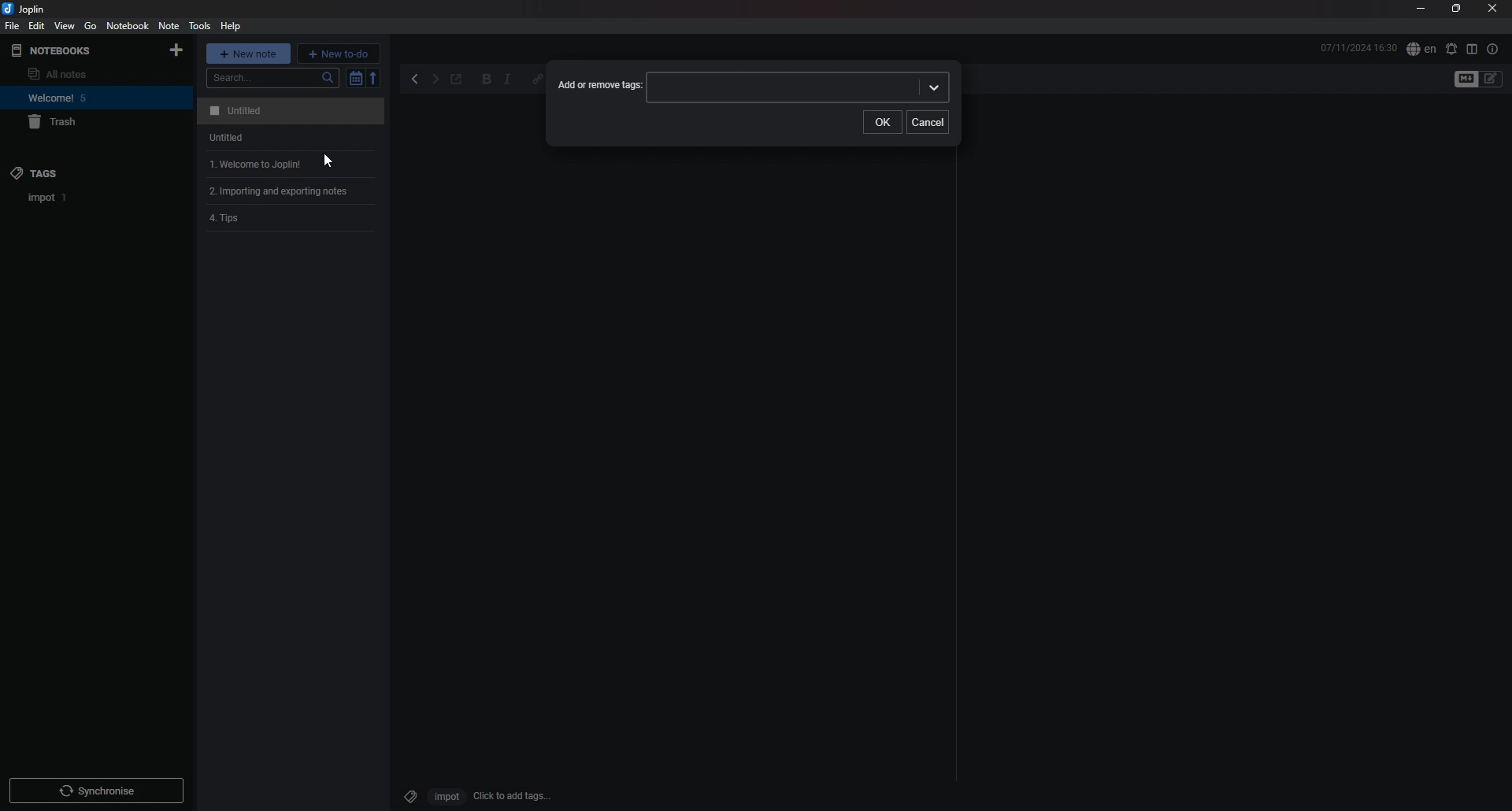 The width and height of the screenshot is (1512, 811). I want to click on tag, so click(407, 794).